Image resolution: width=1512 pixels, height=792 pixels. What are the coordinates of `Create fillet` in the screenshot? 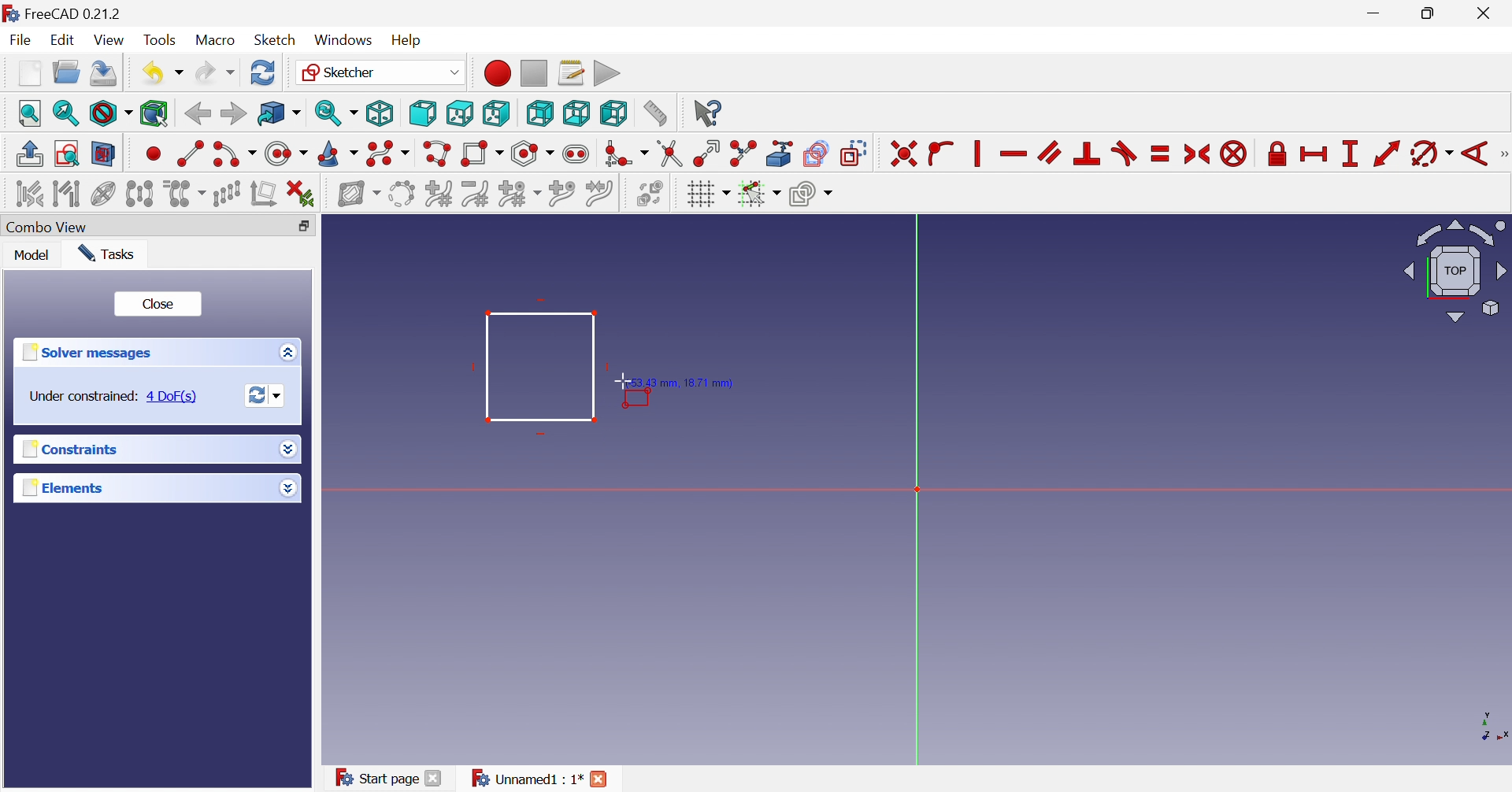 It's located at (625, 154).